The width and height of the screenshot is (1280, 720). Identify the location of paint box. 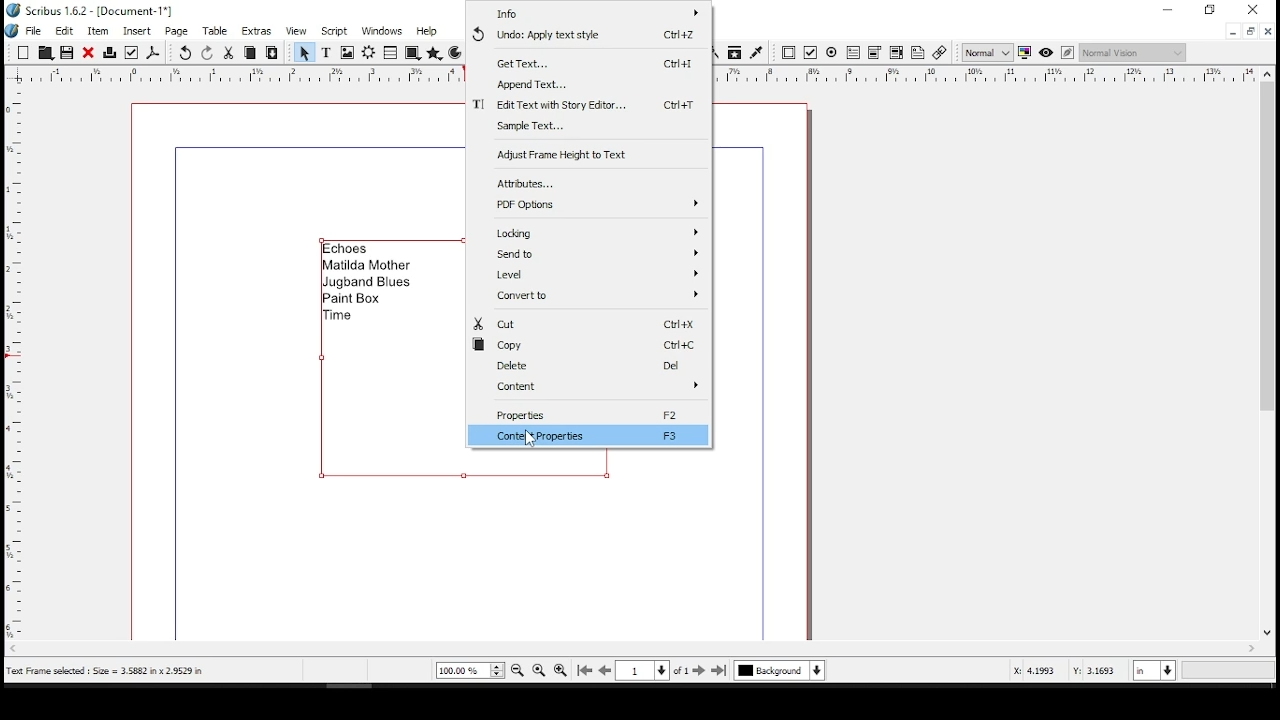
(358, 299).